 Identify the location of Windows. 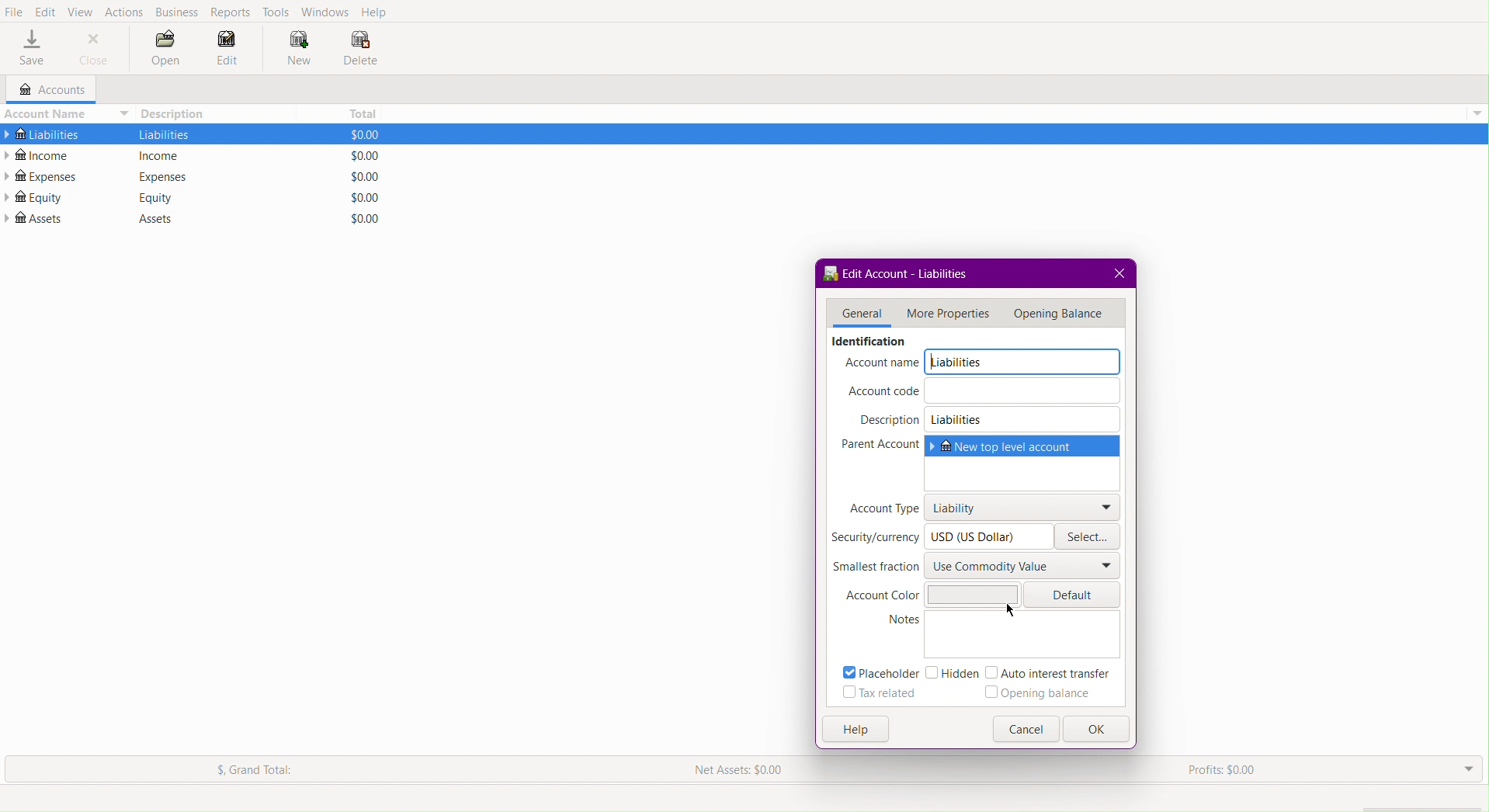
(325, 11).